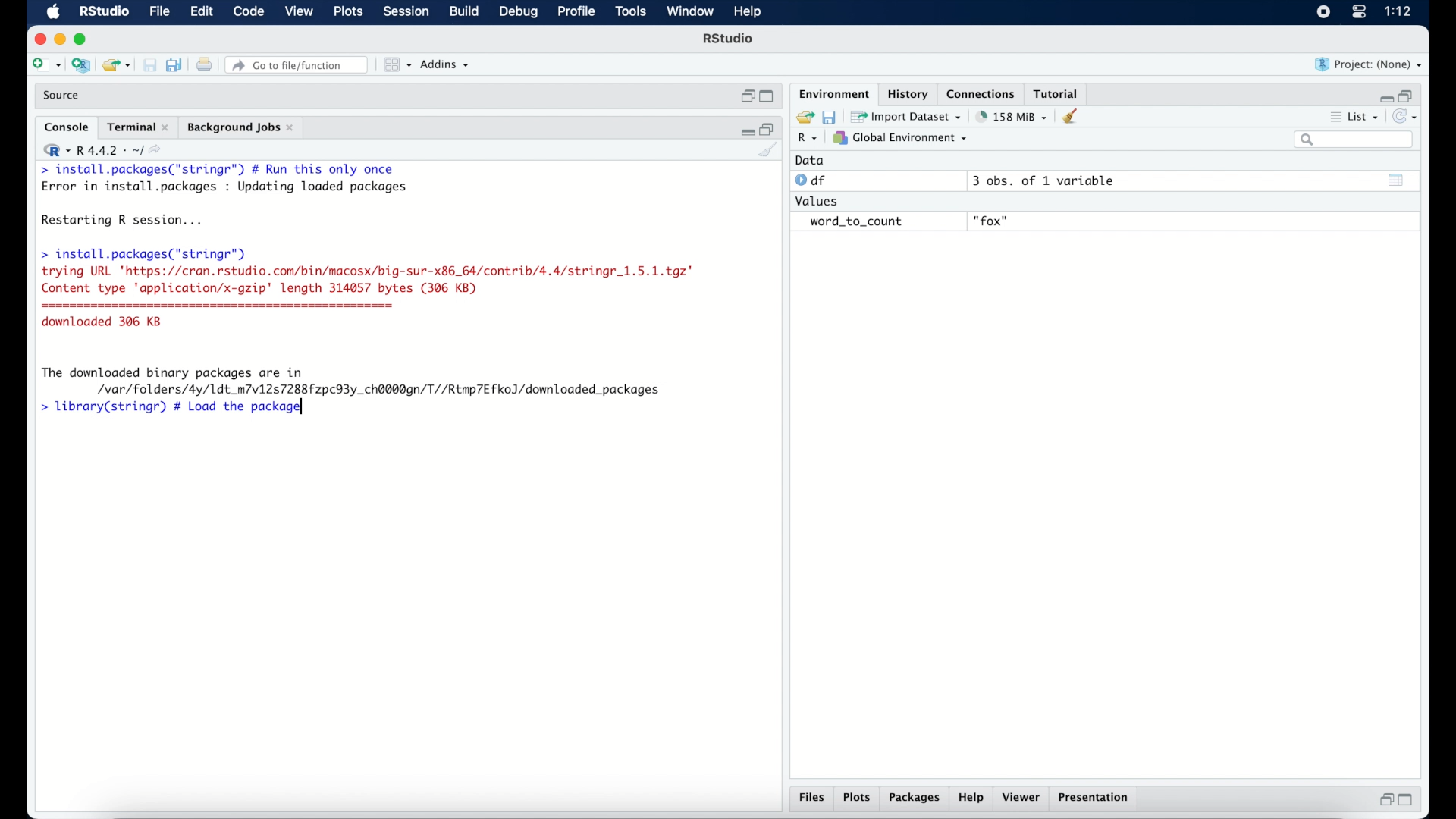 The image size is (1456, 819). Describe the element at coordinates (463, 11) in the screenshot. I see `build` at that location.